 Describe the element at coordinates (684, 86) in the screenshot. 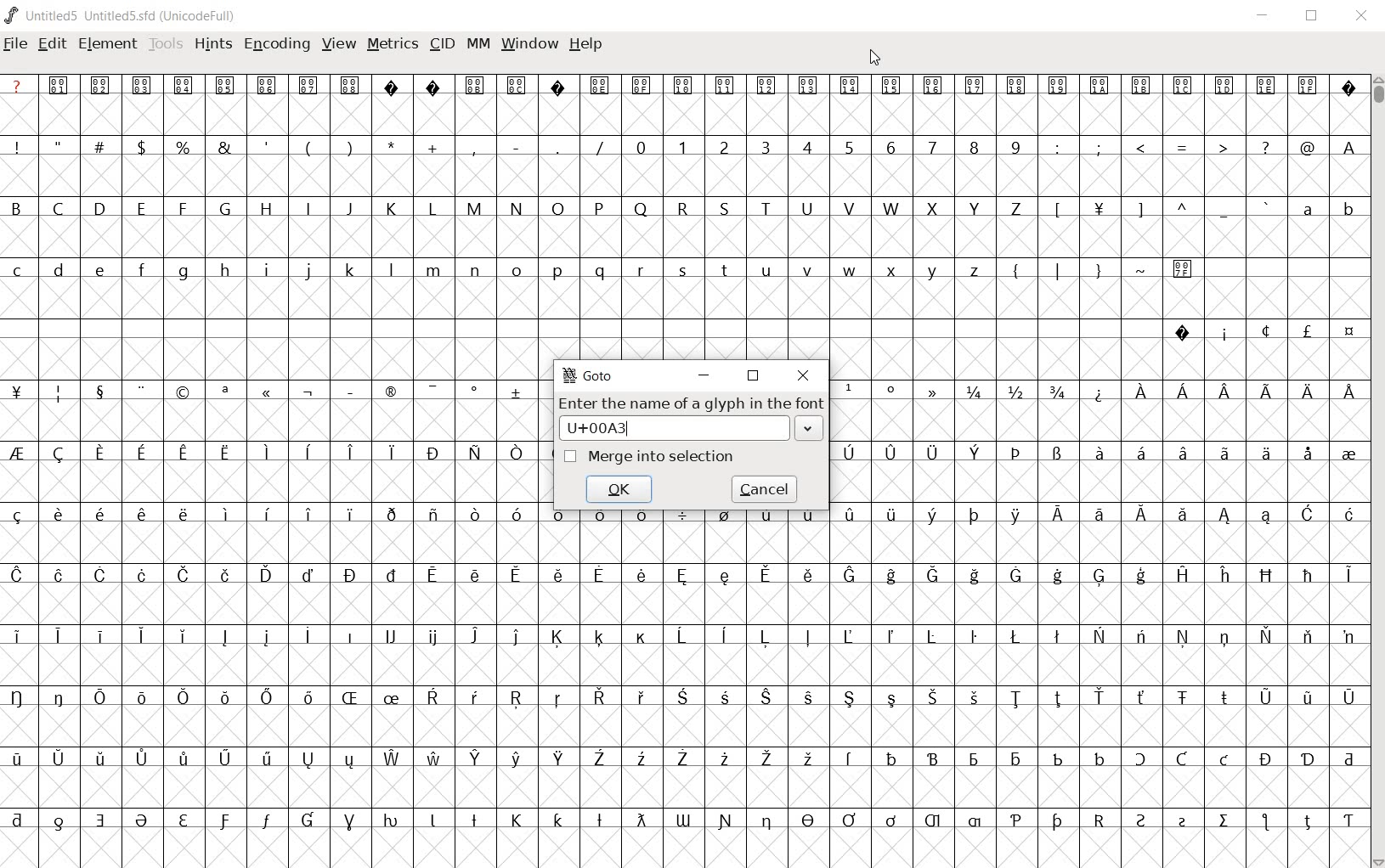

I see `Symbol` at that location.